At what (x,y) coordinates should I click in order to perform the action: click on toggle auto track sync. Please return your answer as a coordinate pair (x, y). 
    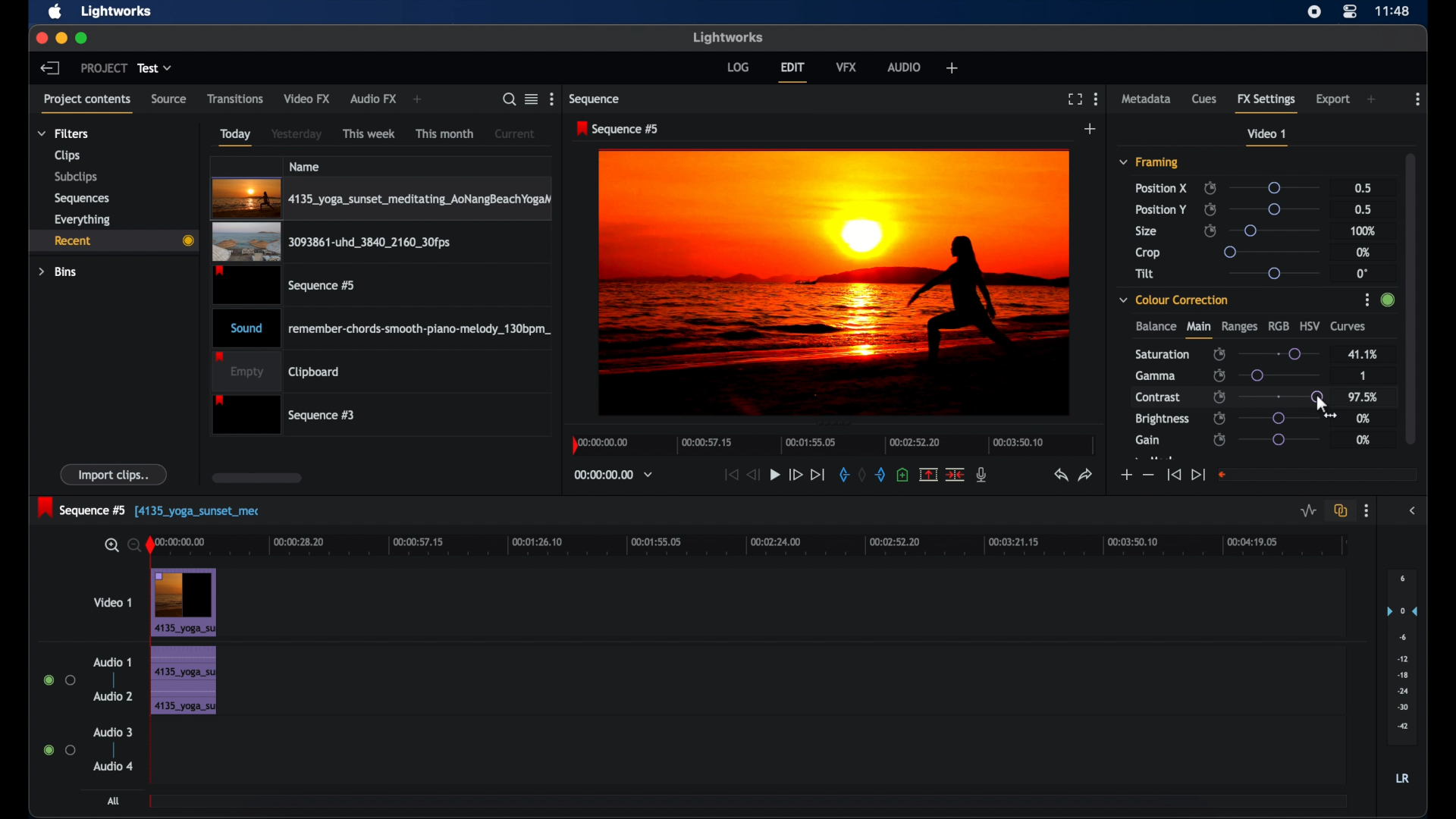
    Looking at the image, I should click on (1338, 510).